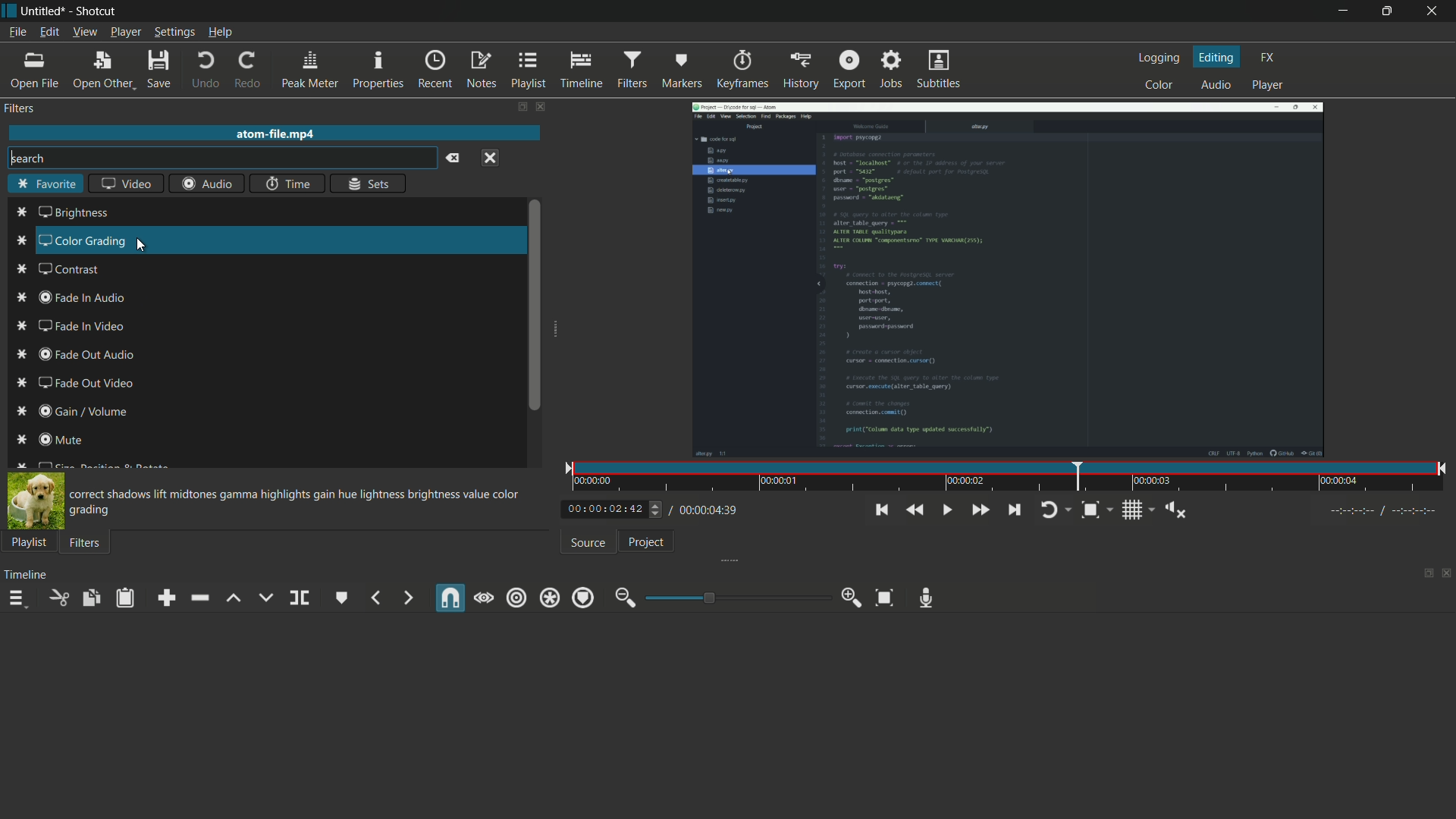  I want to click on next markers, so click(406, 598).